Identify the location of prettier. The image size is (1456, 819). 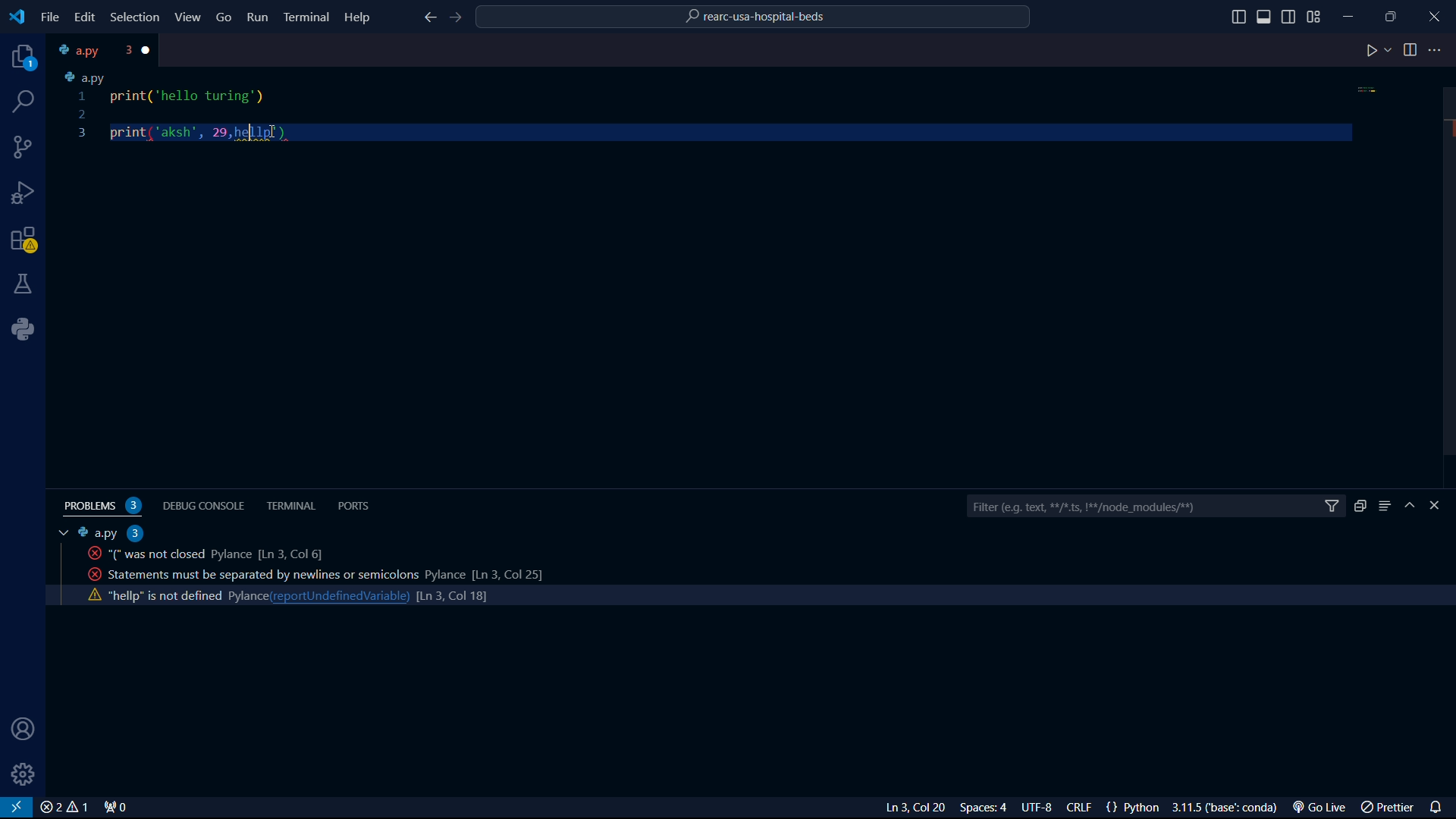
(1389, 808).